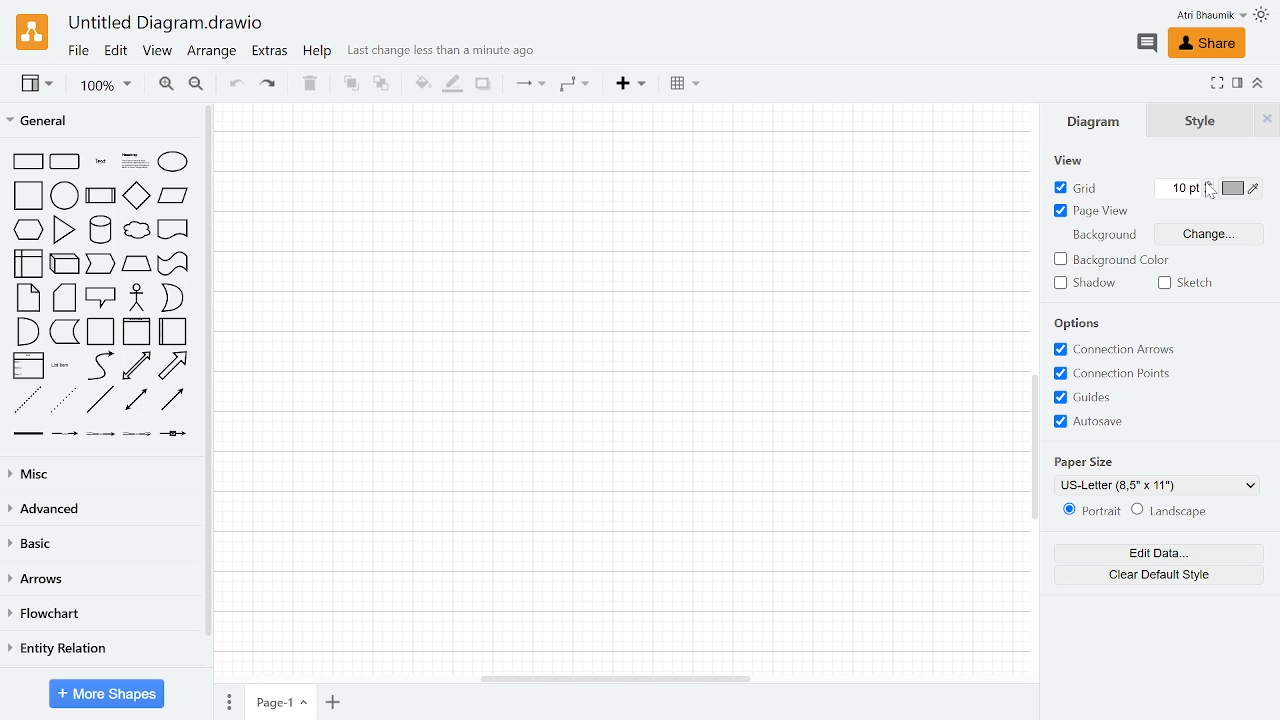 The height and width of the screenshot is (720, 1280). I want to click on Help, so click(320, 53).